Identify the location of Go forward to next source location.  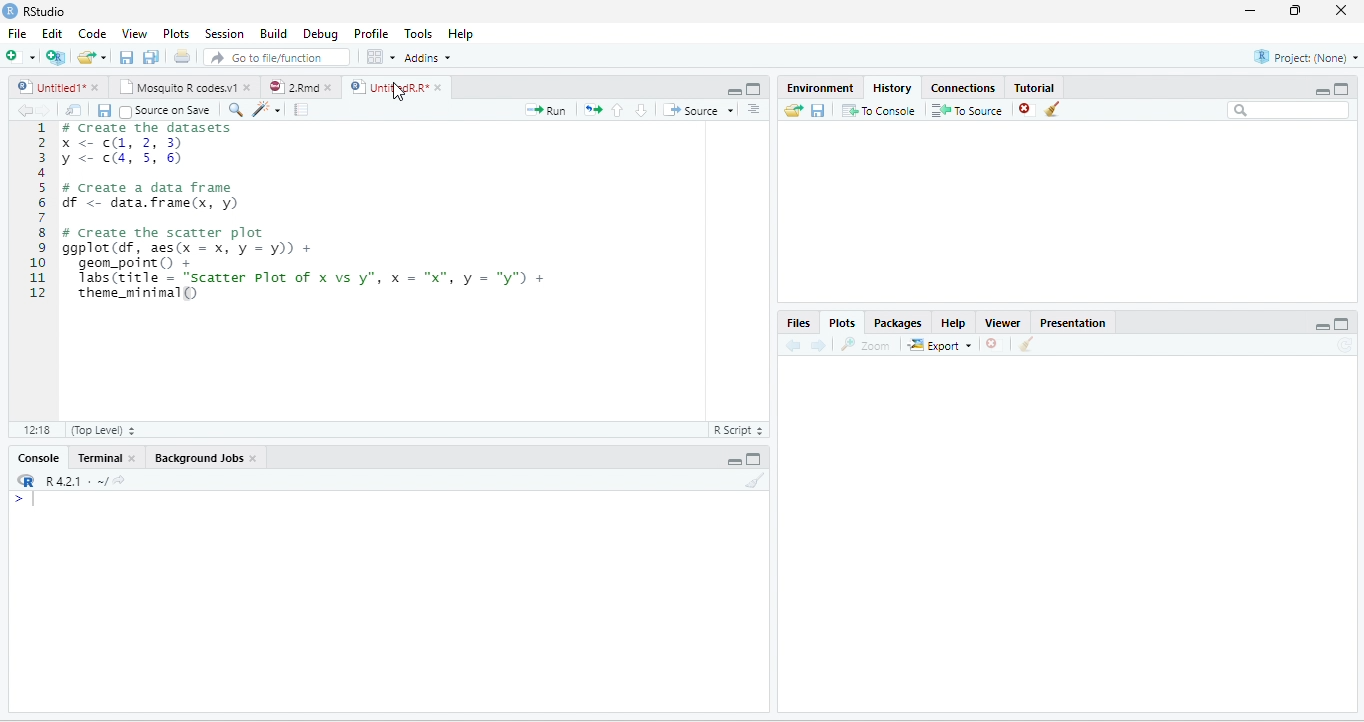
(44, 111).